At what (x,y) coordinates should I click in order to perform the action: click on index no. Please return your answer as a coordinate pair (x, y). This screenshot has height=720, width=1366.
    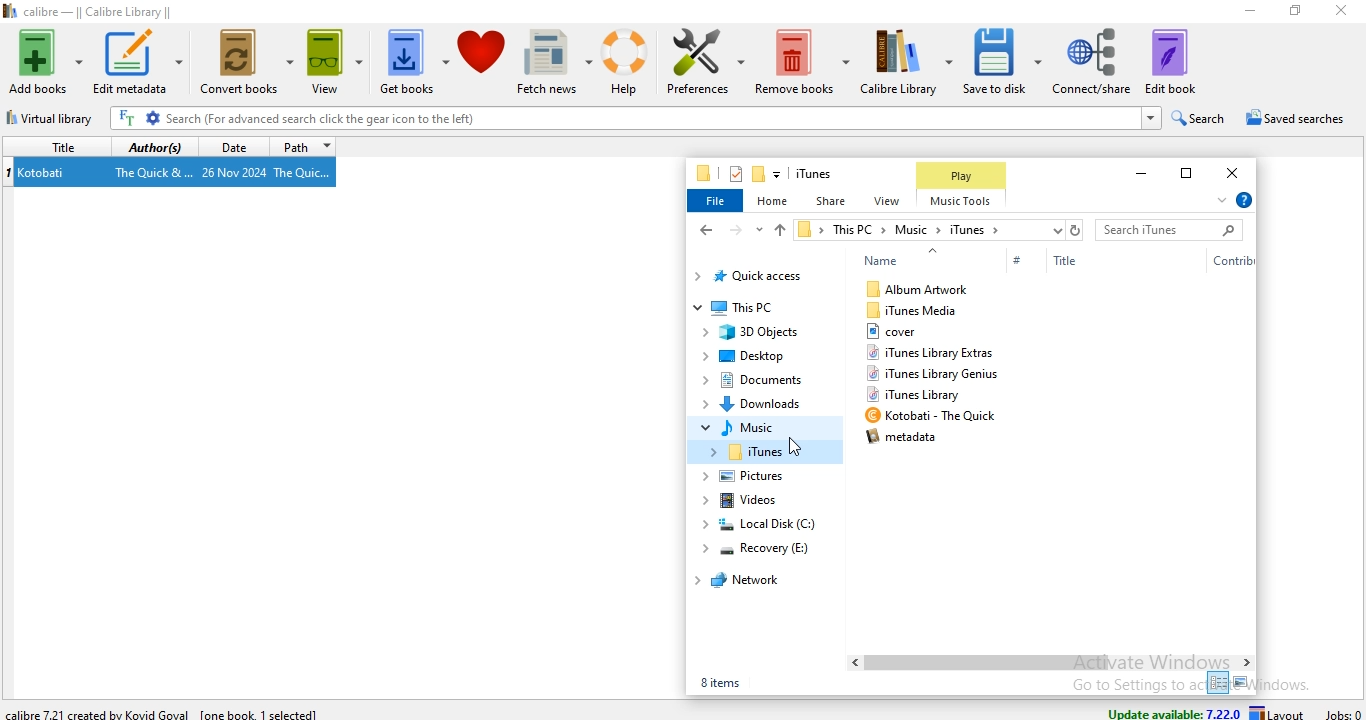
    Looking at the image, I should click on (9, 172).